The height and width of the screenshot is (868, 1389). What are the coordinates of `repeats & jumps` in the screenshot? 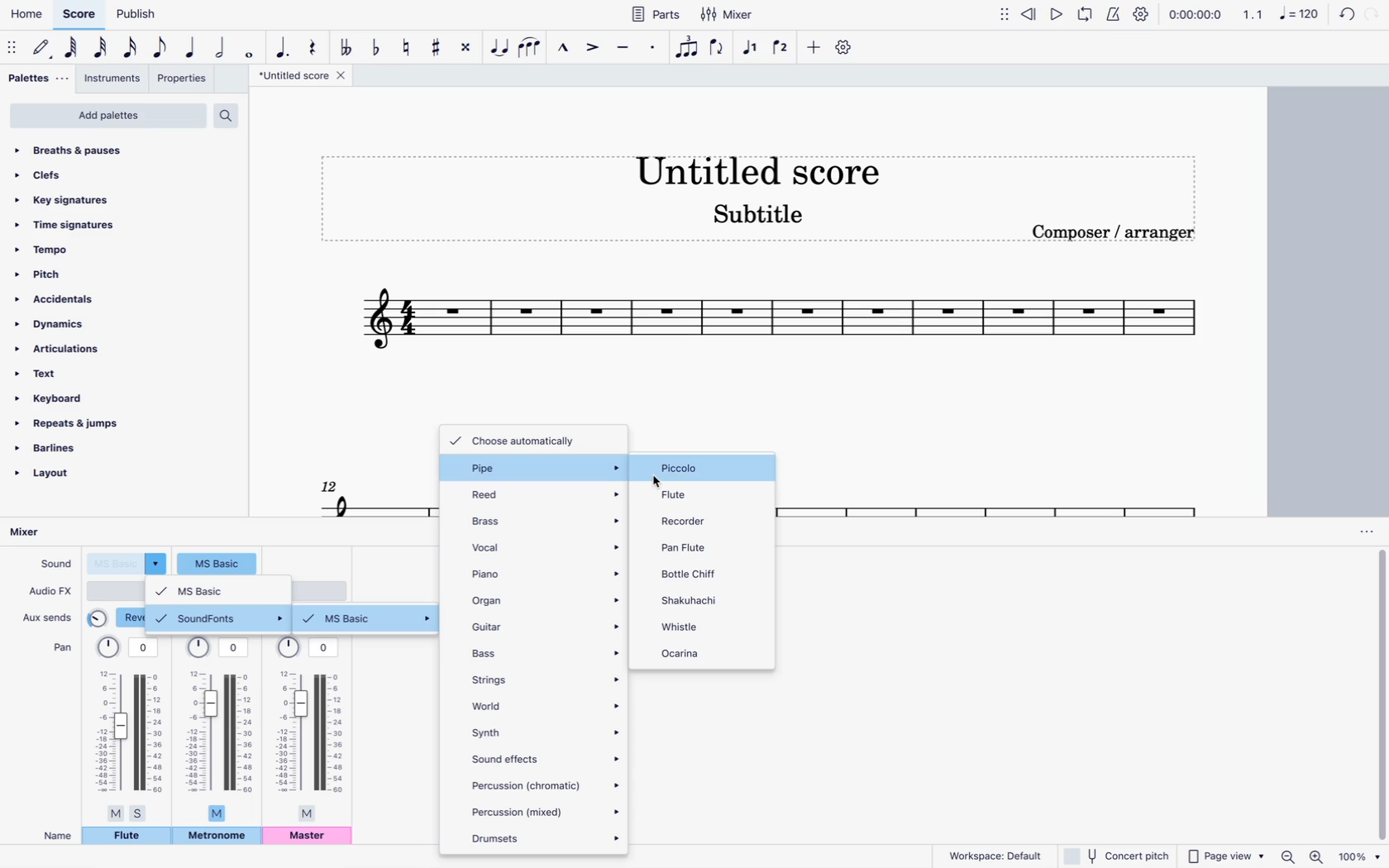 It's located at (79, 425).